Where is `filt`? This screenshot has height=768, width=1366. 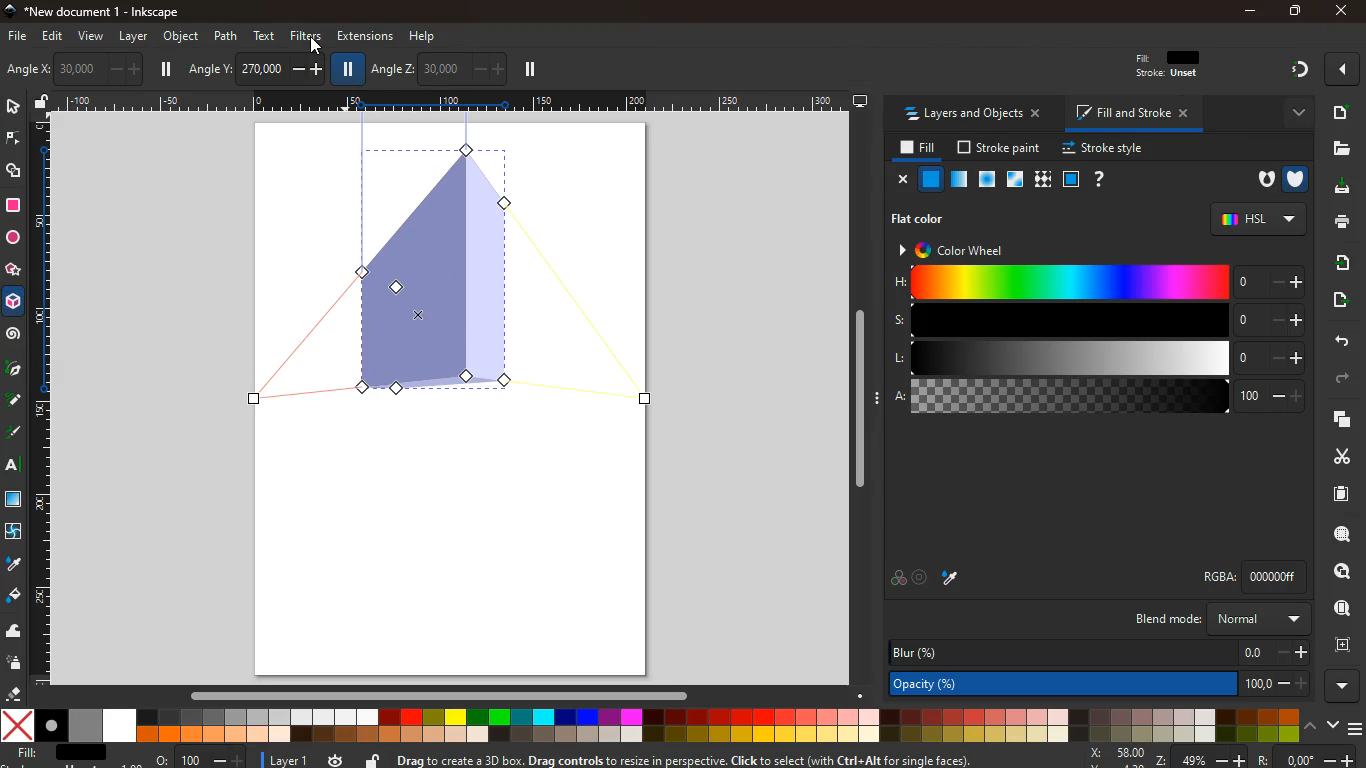 filt is located at coordinates (1169, 69).